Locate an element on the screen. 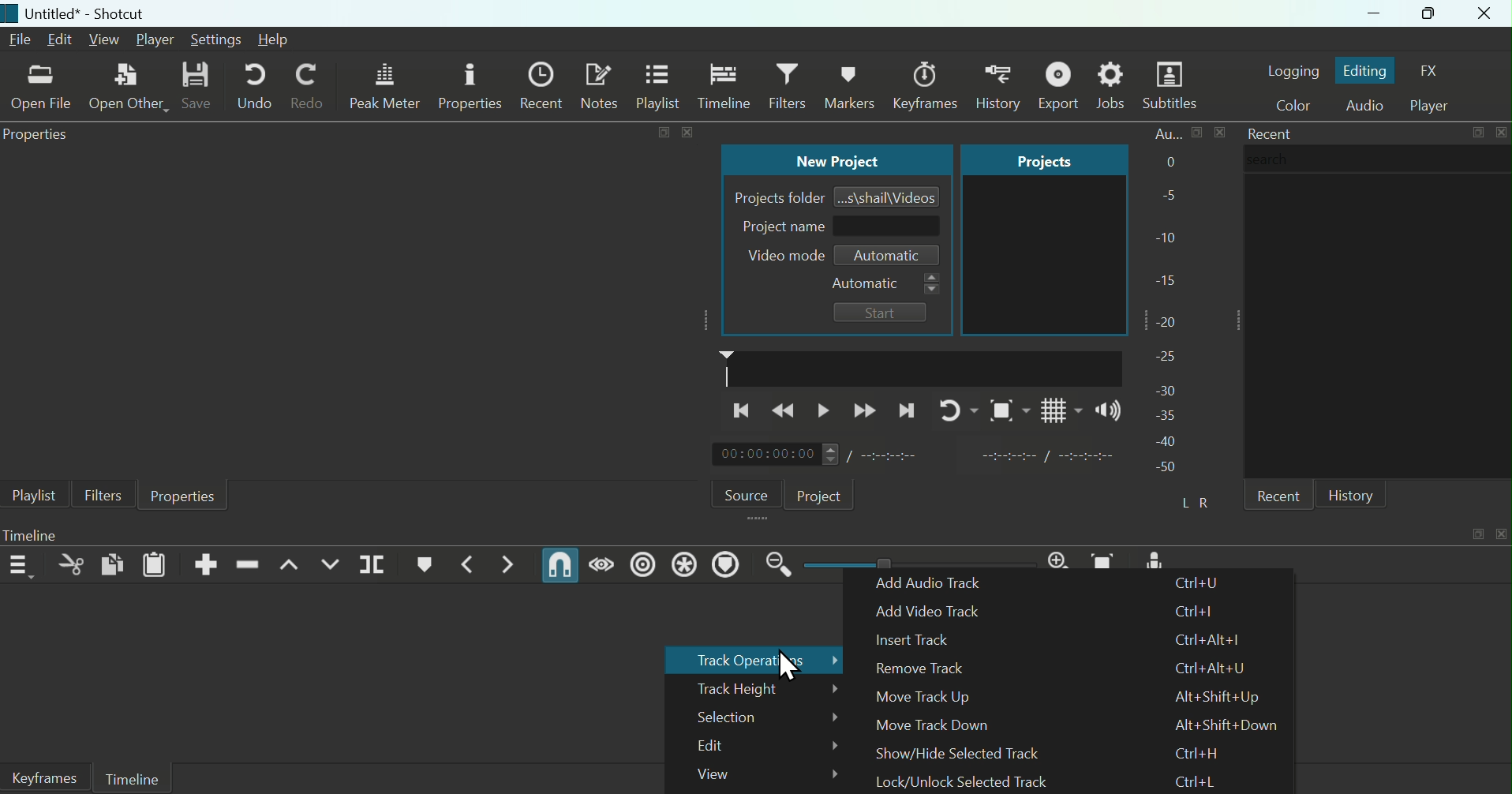  Project name is located at coordinates (836, 227).